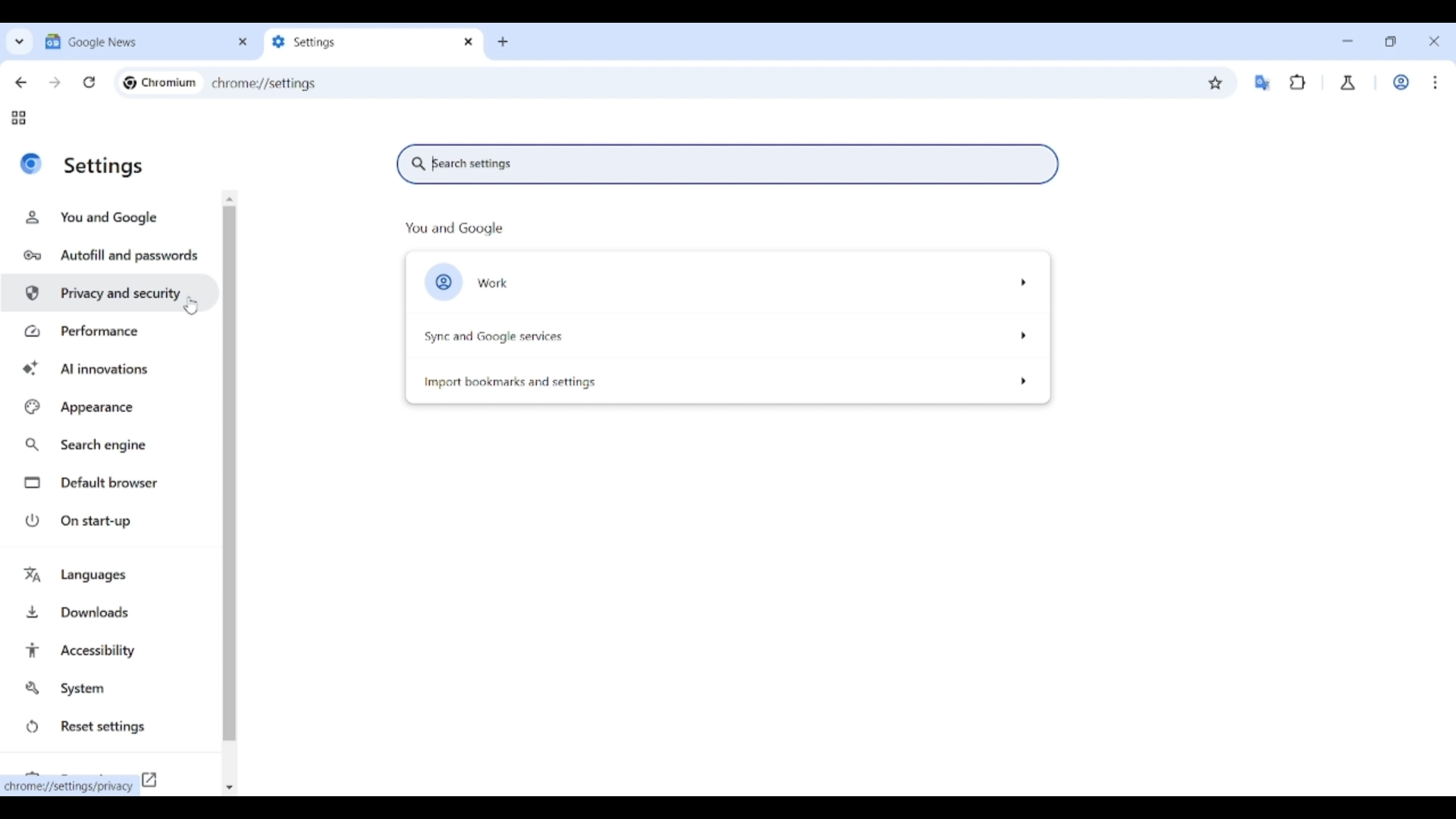  I want to click on Downloads, so click(111, 610).